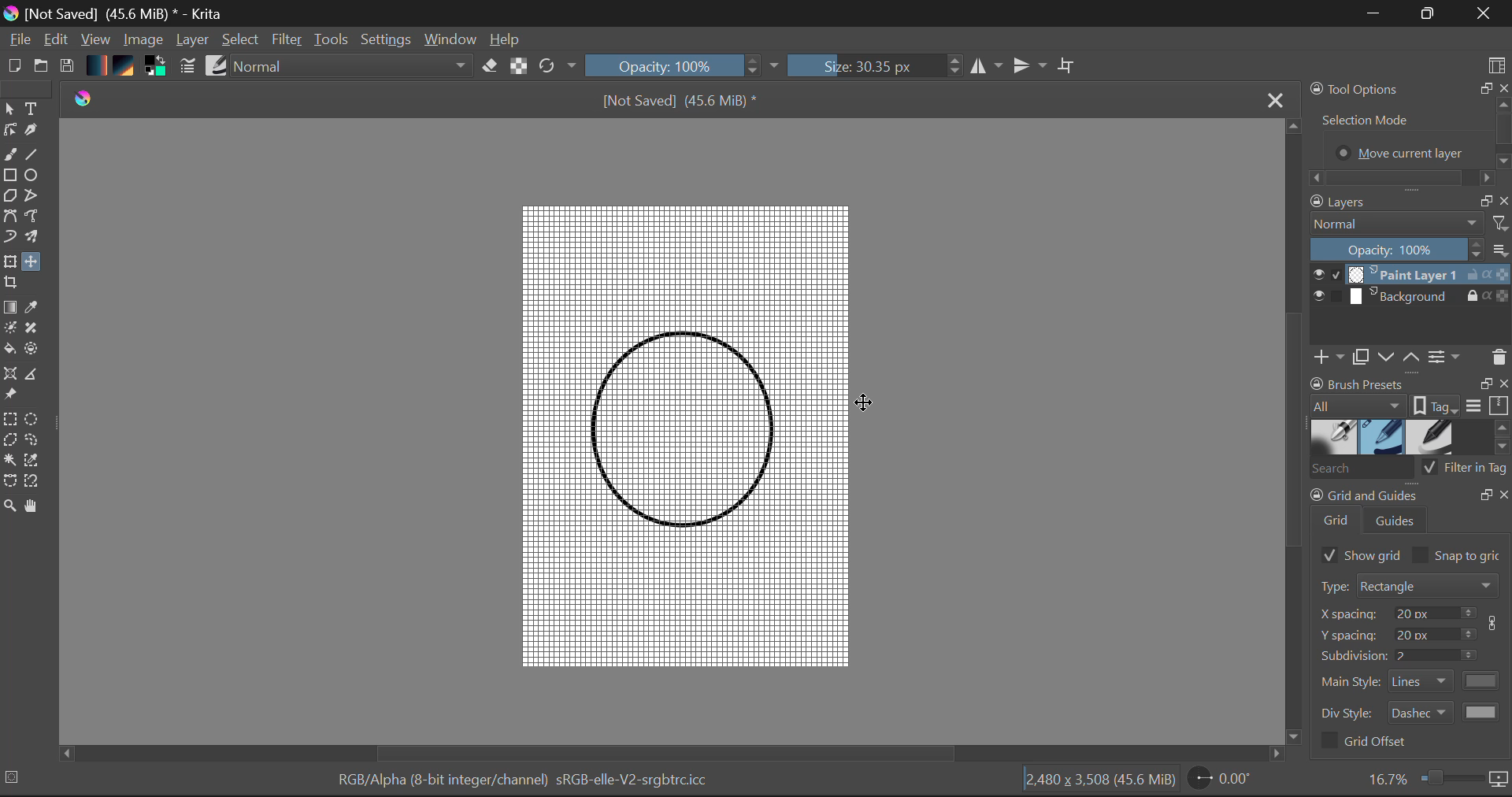 The width and height of the screenshot is (1512, 797). I want to click on Show Grid Selected, so click(1357, 554).